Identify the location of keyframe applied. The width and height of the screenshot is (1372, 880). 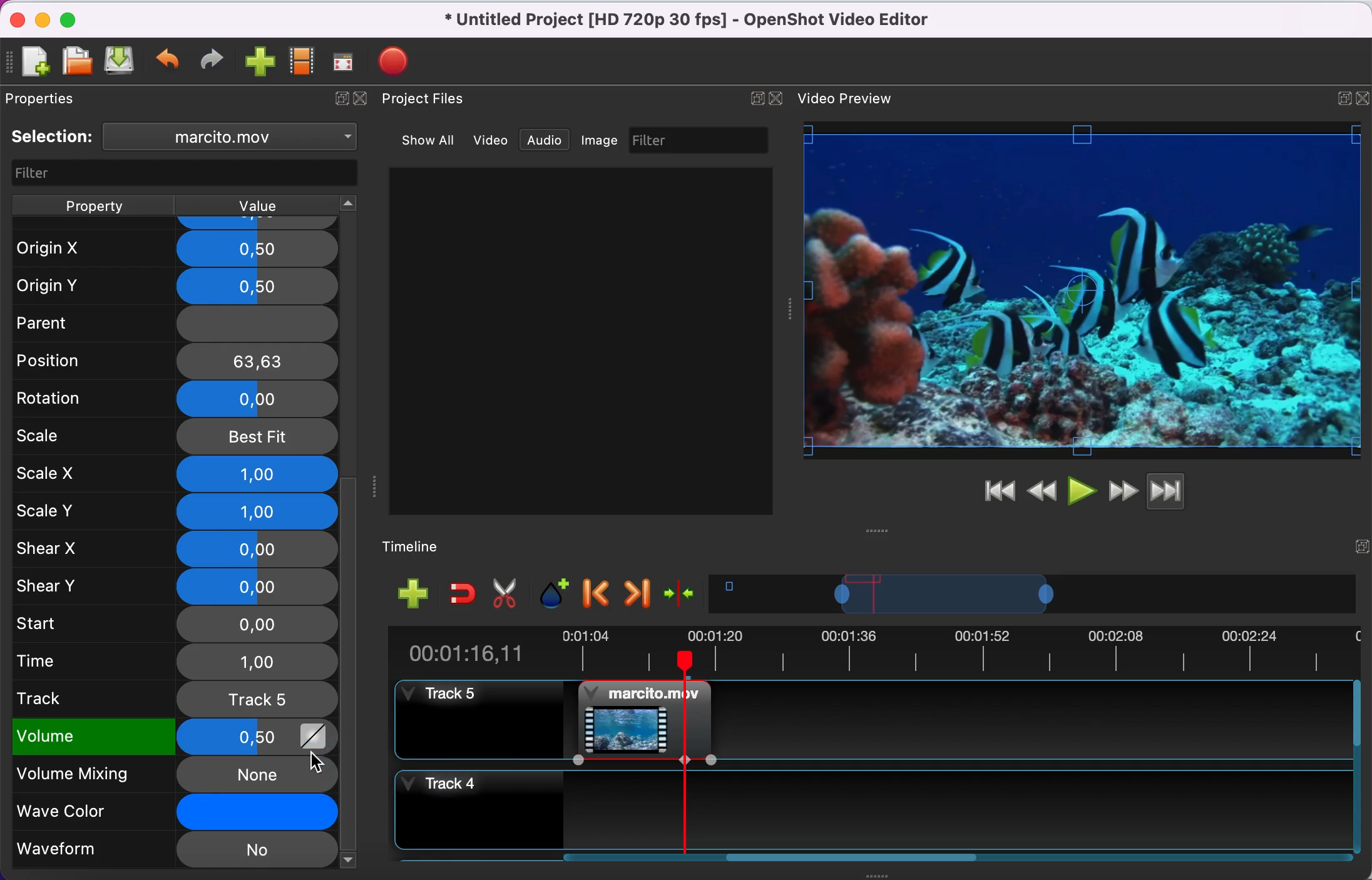
(314, 740).